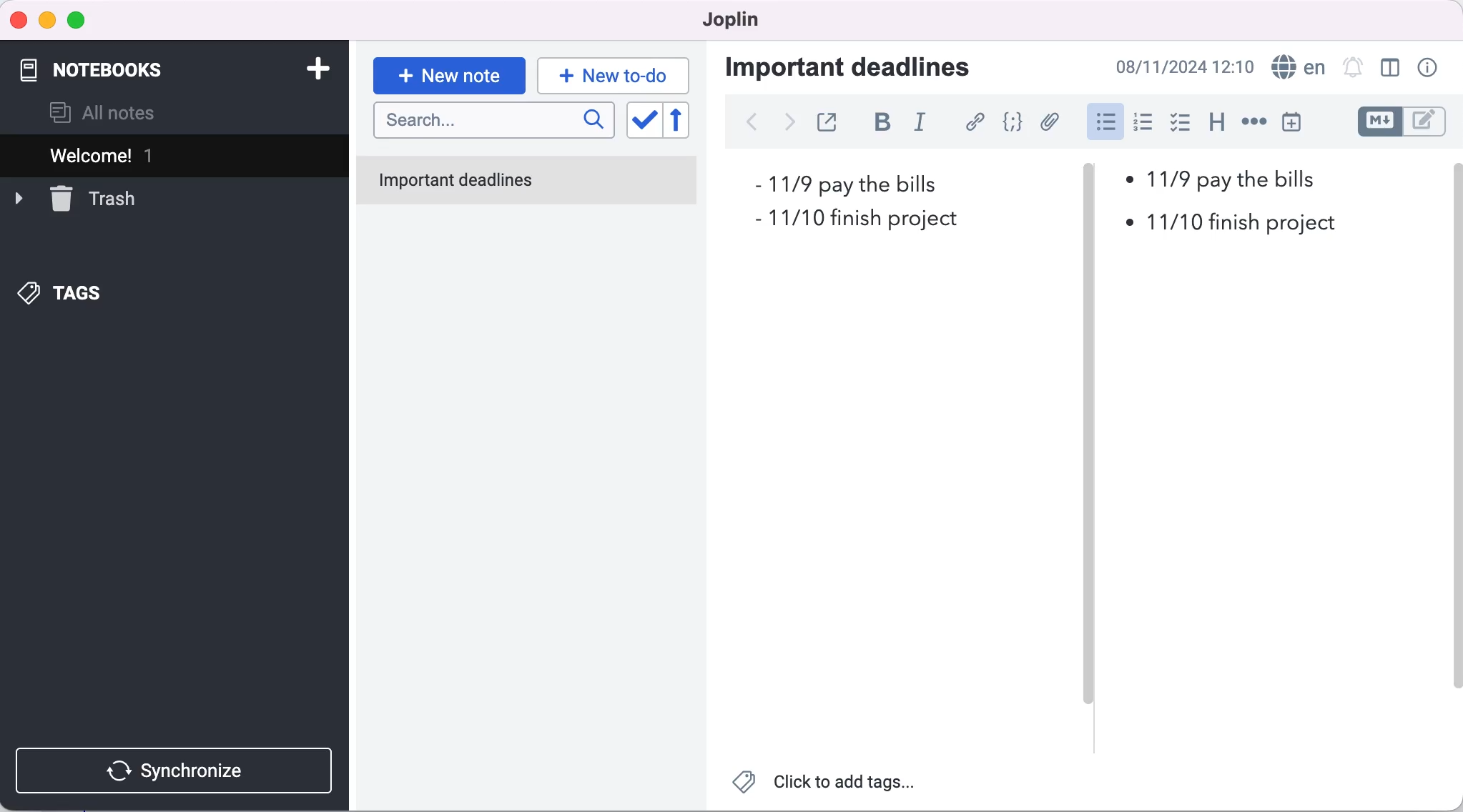  What do you see at coordinates (1226, 182) in the screenshot?
I see `deadline 2` at bounding box center [1226, 182].